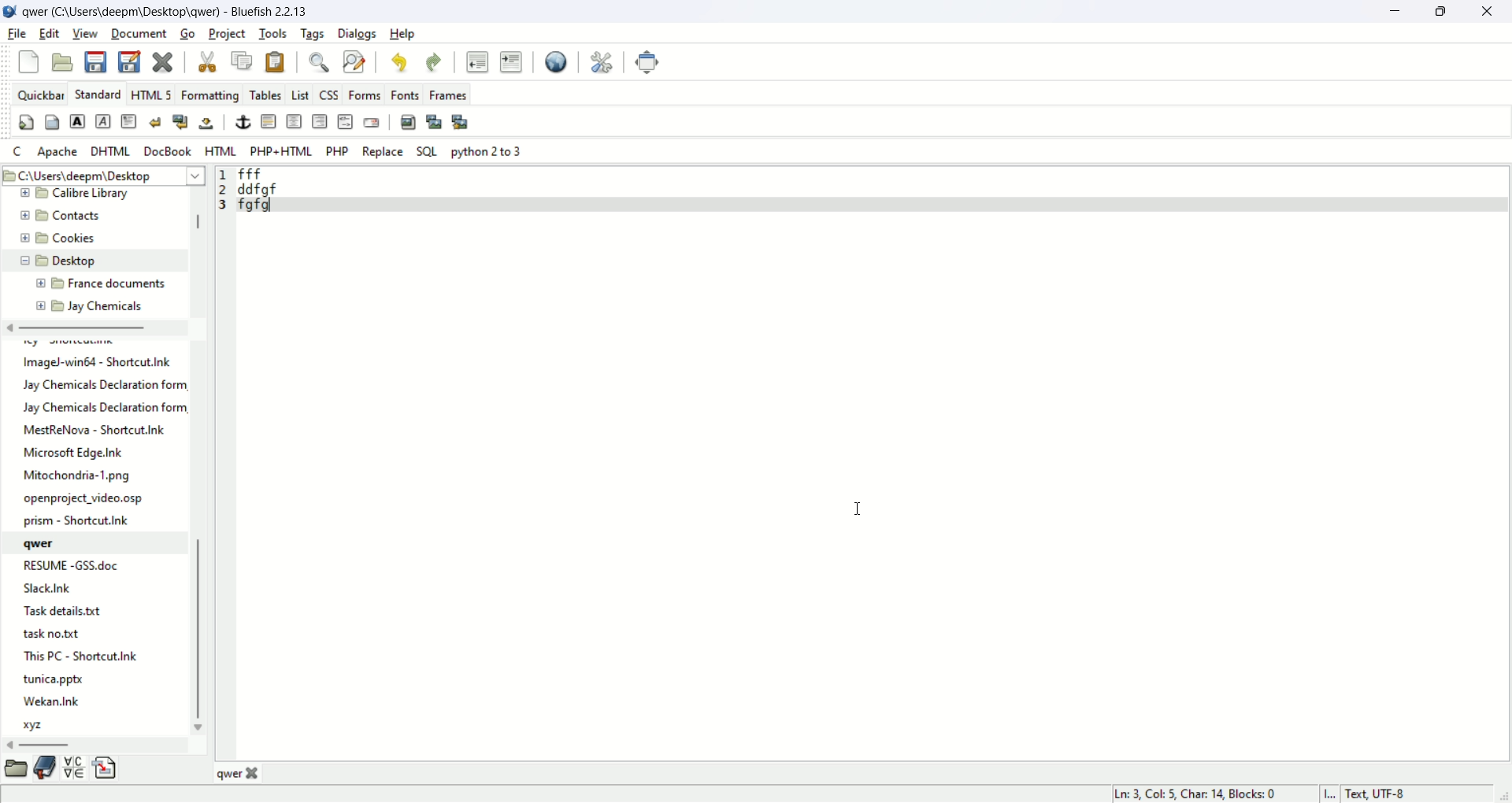 The height and width of the screenshot is (803, 1512). I want to click on horizontal scroll bar, so click(98, 745).